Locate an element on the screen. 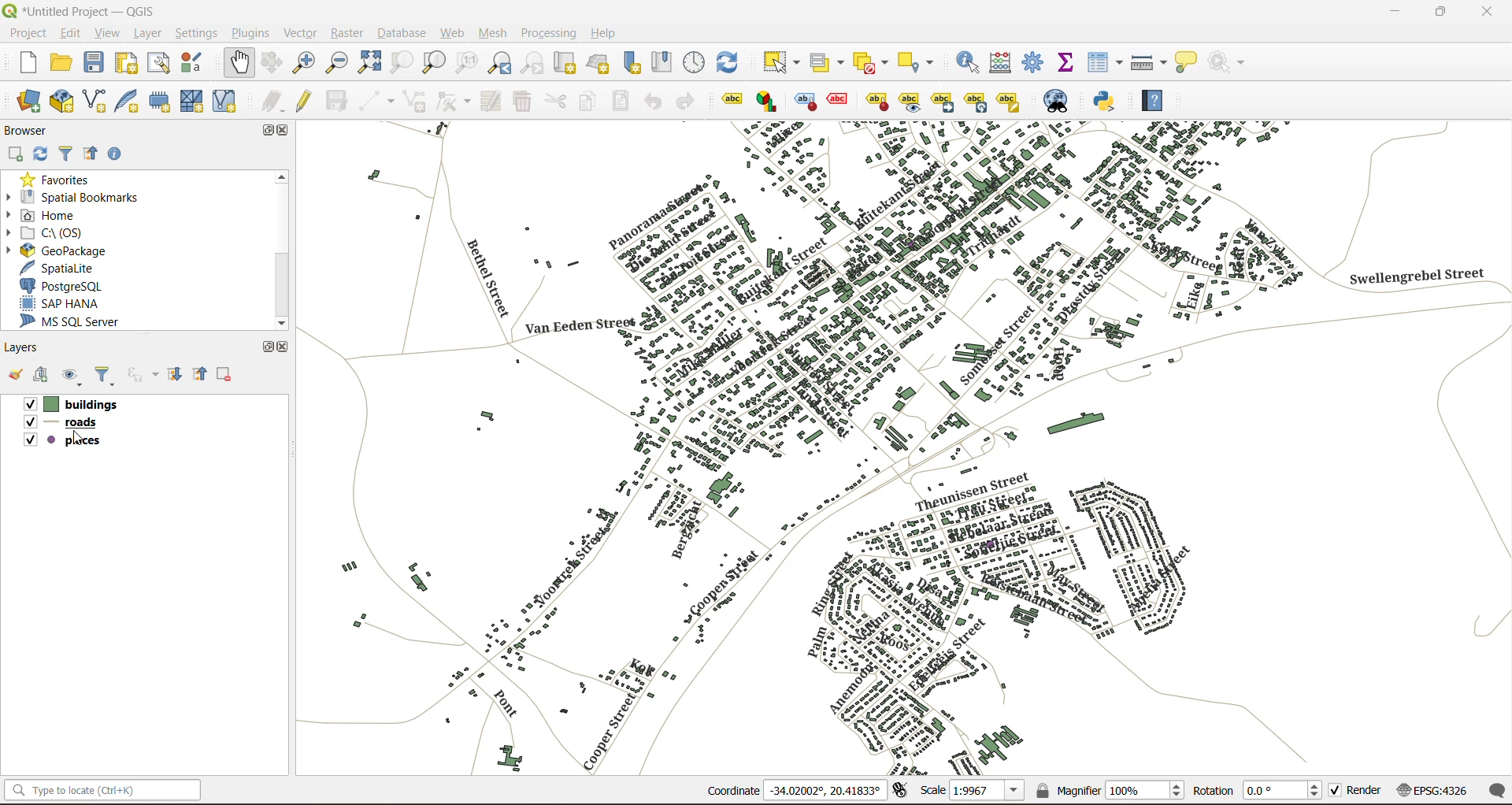 This screenshot has height=805, width=1512. select location is located at coordinates (920, 63).